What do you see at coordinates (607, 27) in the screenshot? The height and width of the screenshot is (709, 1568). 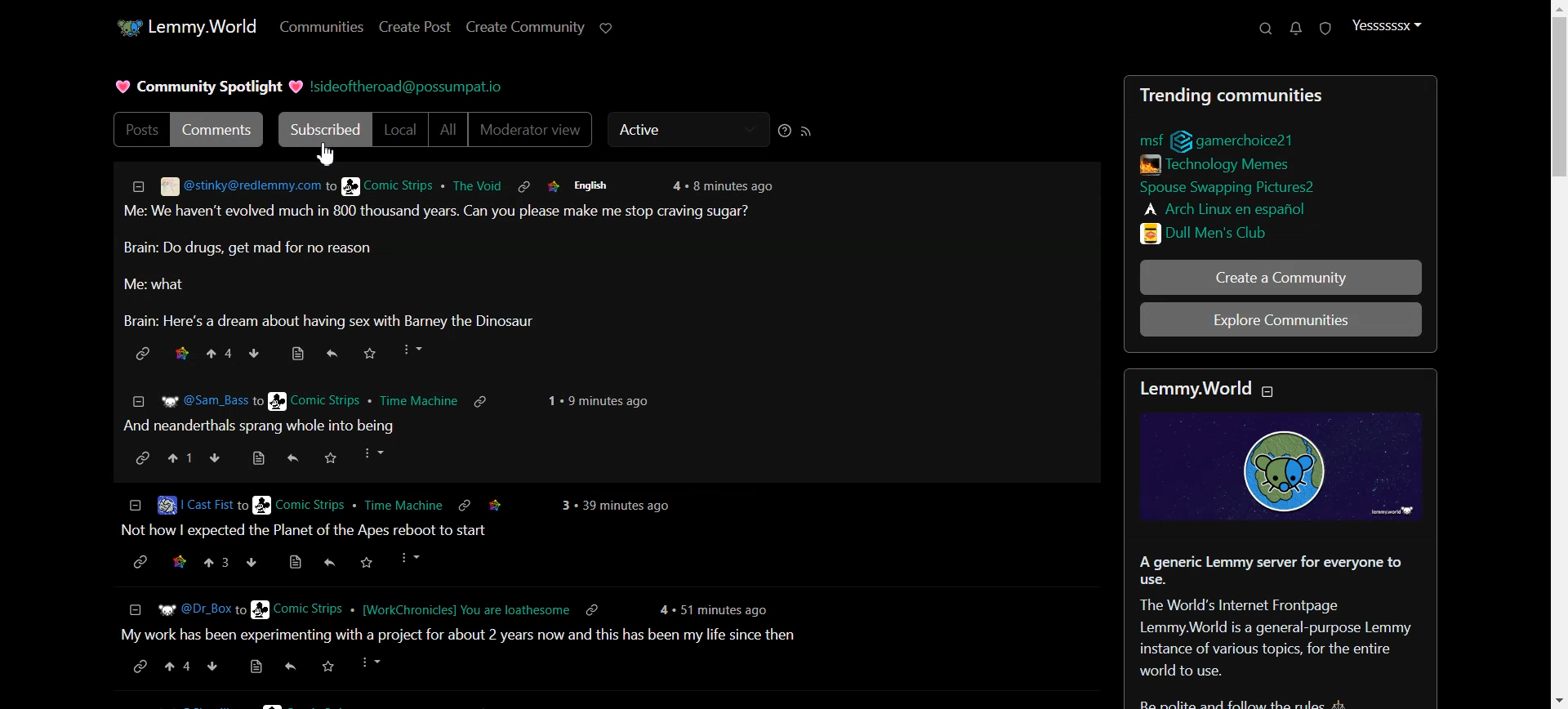 I see `Support Lemmy` at bounding box center [607, 27].